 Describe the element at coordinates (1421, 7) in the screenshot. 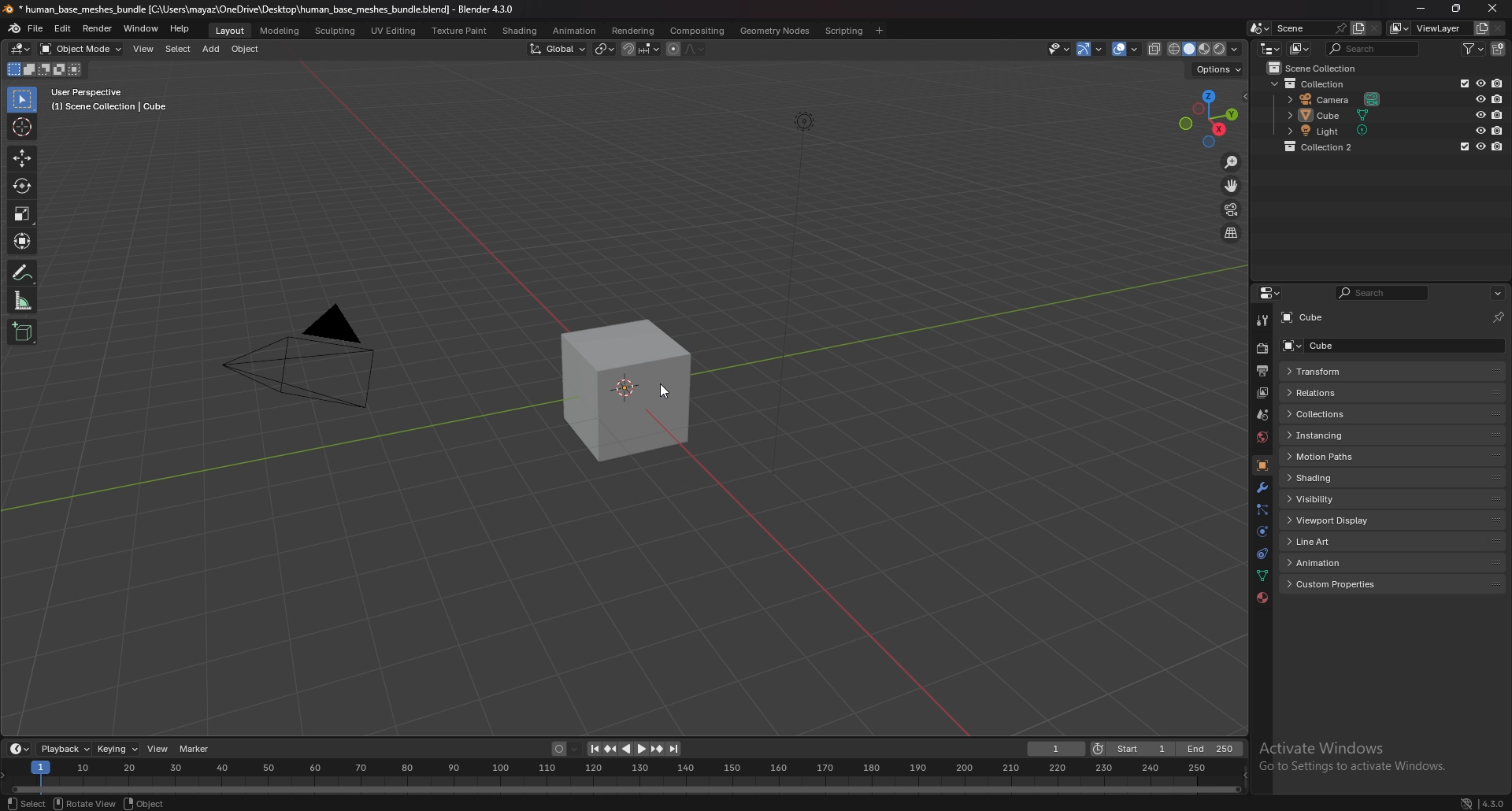

I see `minimize` at that location.